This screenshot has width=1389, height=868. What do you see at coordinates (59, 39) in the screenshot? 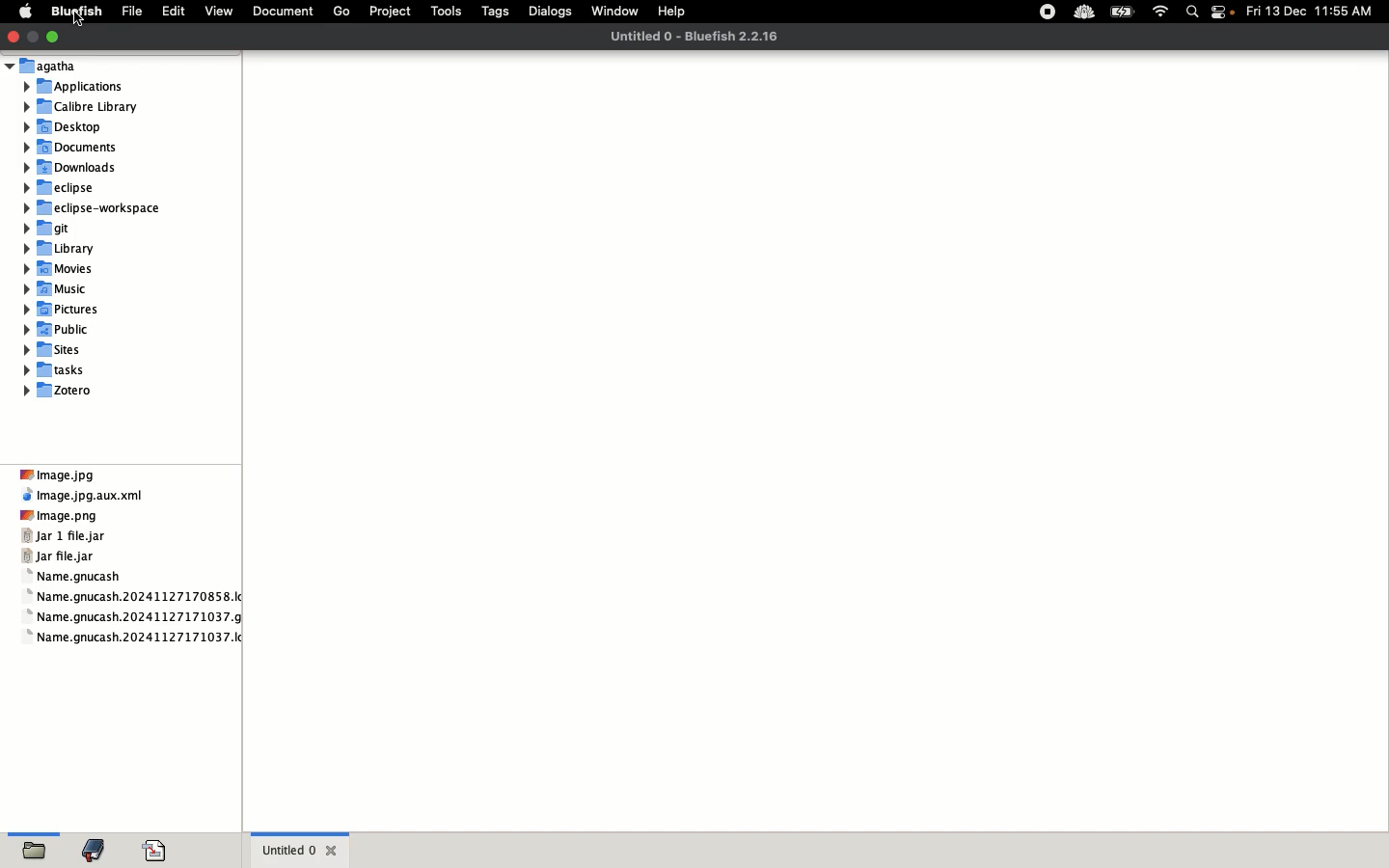
I see `maximize` at bounding box center [59, 39].